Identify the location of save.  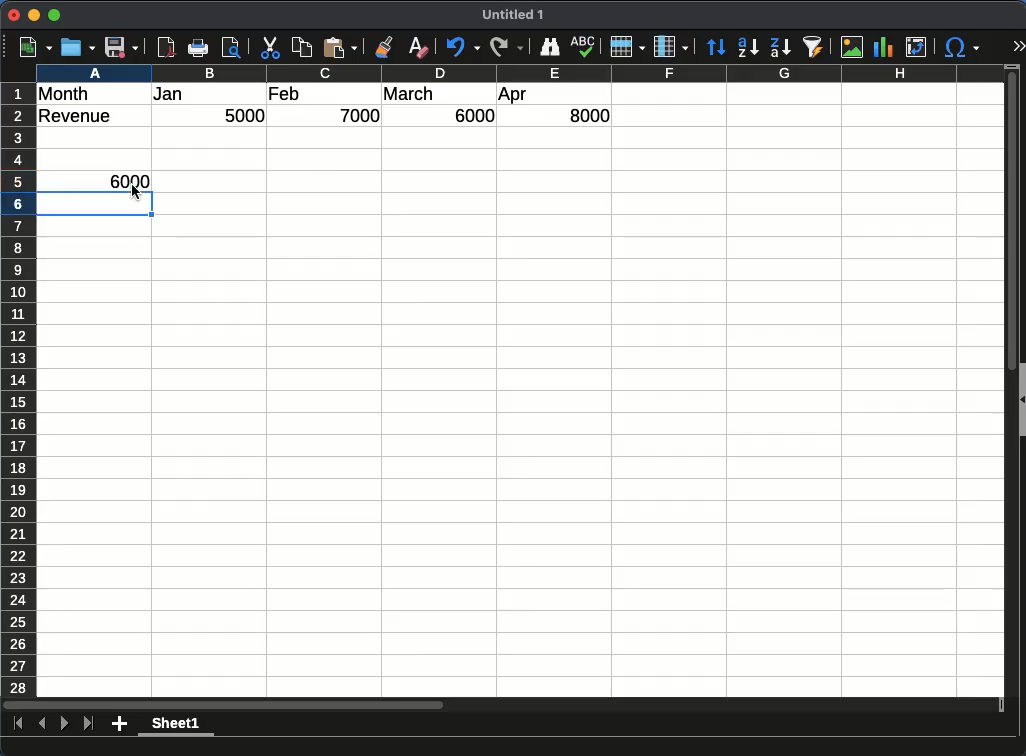
(121, 47).